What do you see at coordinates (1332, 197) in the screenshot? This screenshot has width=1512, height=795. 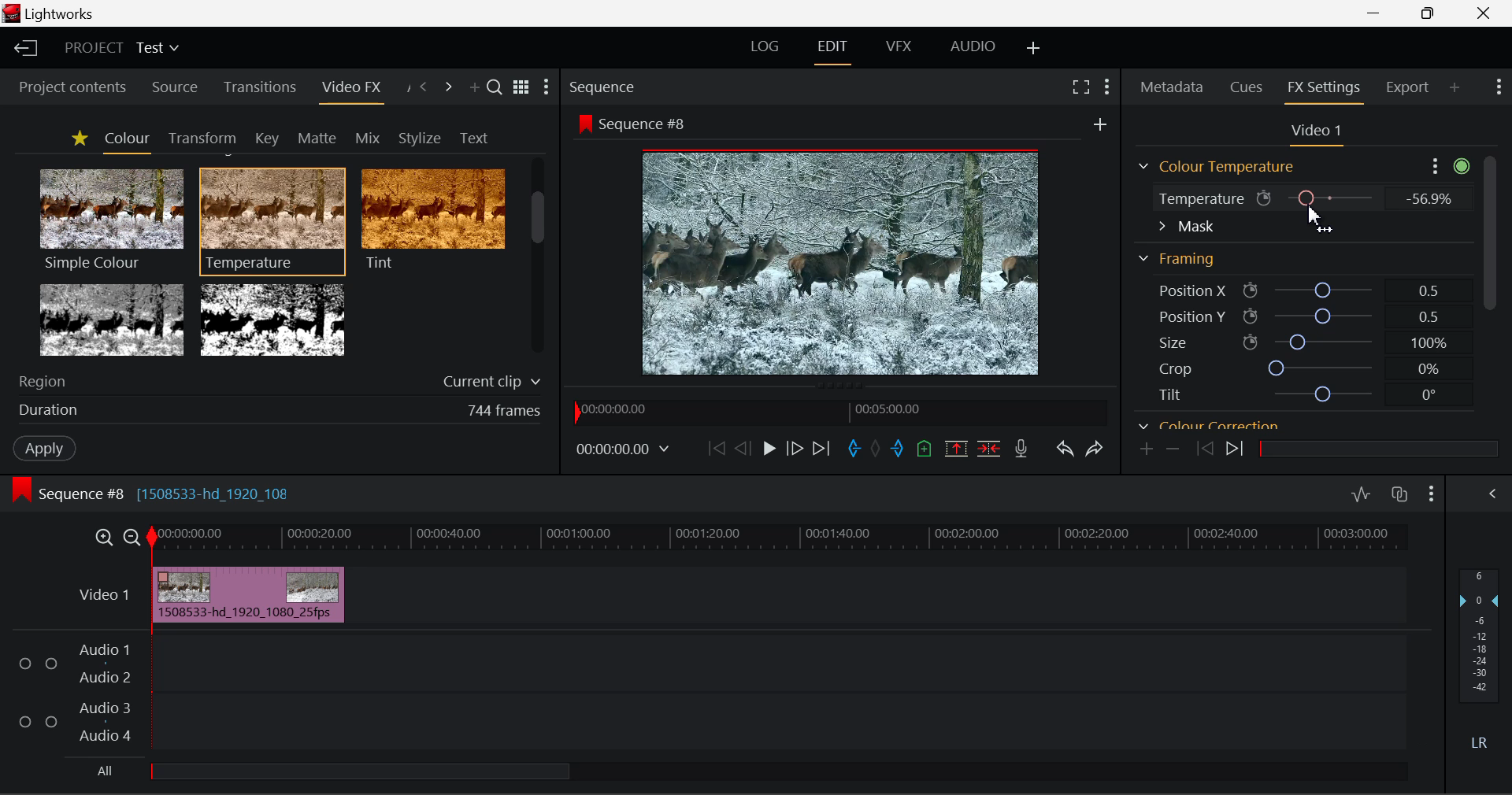 I see `Temperature` at bounding box center [1332, 197].